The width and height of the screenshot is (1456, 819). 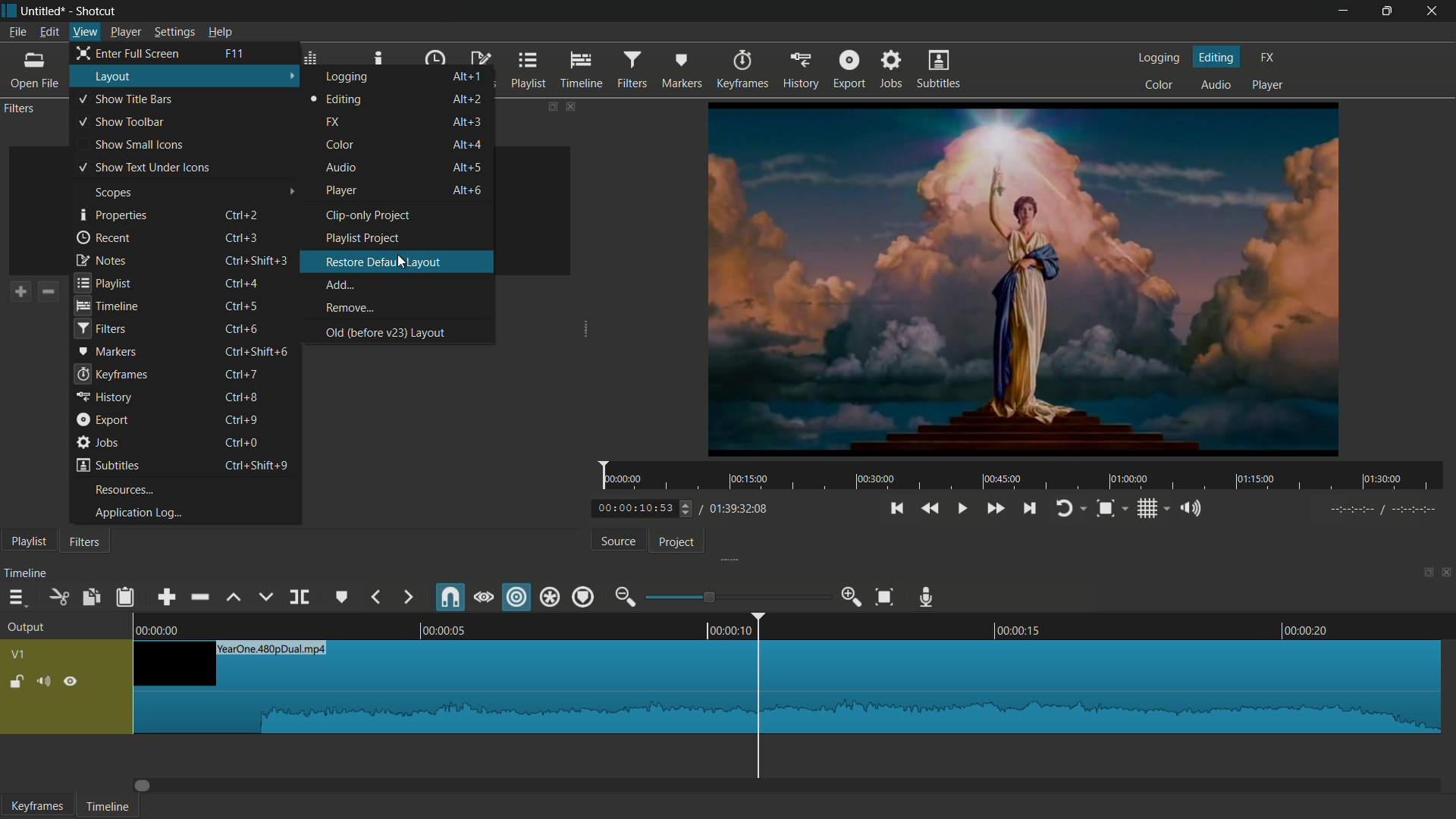 I want to click on change layout, so click(x=1423, y=574).